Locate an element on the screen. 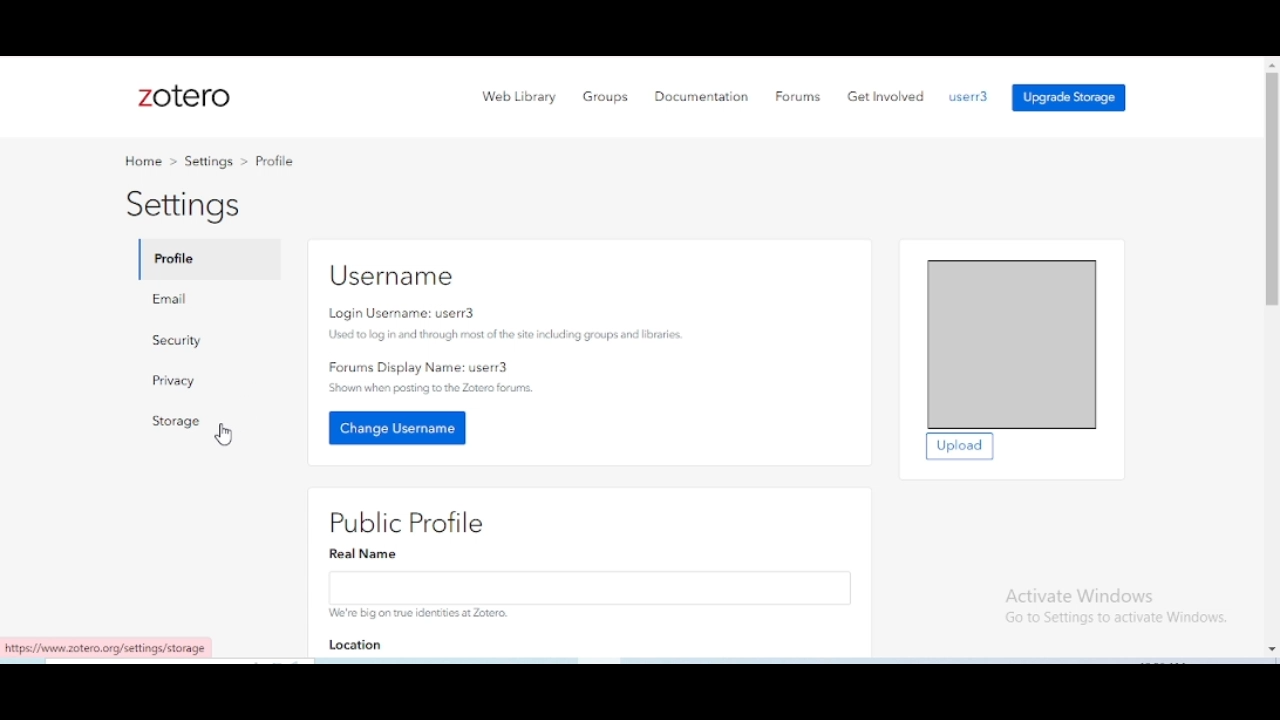  username is located at coordinates (396, 276).